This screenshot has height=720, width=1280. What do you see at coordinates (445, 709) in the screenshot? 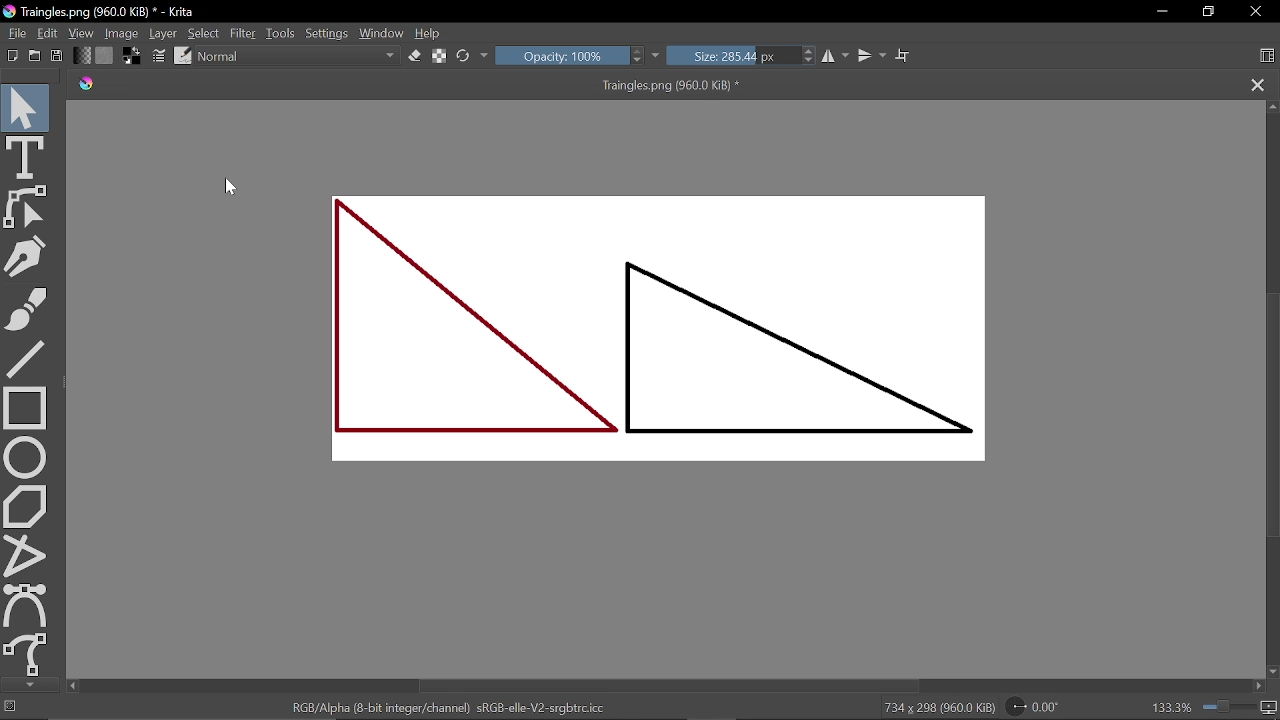
I see `RGB/Alpha (8-bit integer/channel) sRGB-elle-V2-srgbtrc.icc` at bounding box center [445, 709].